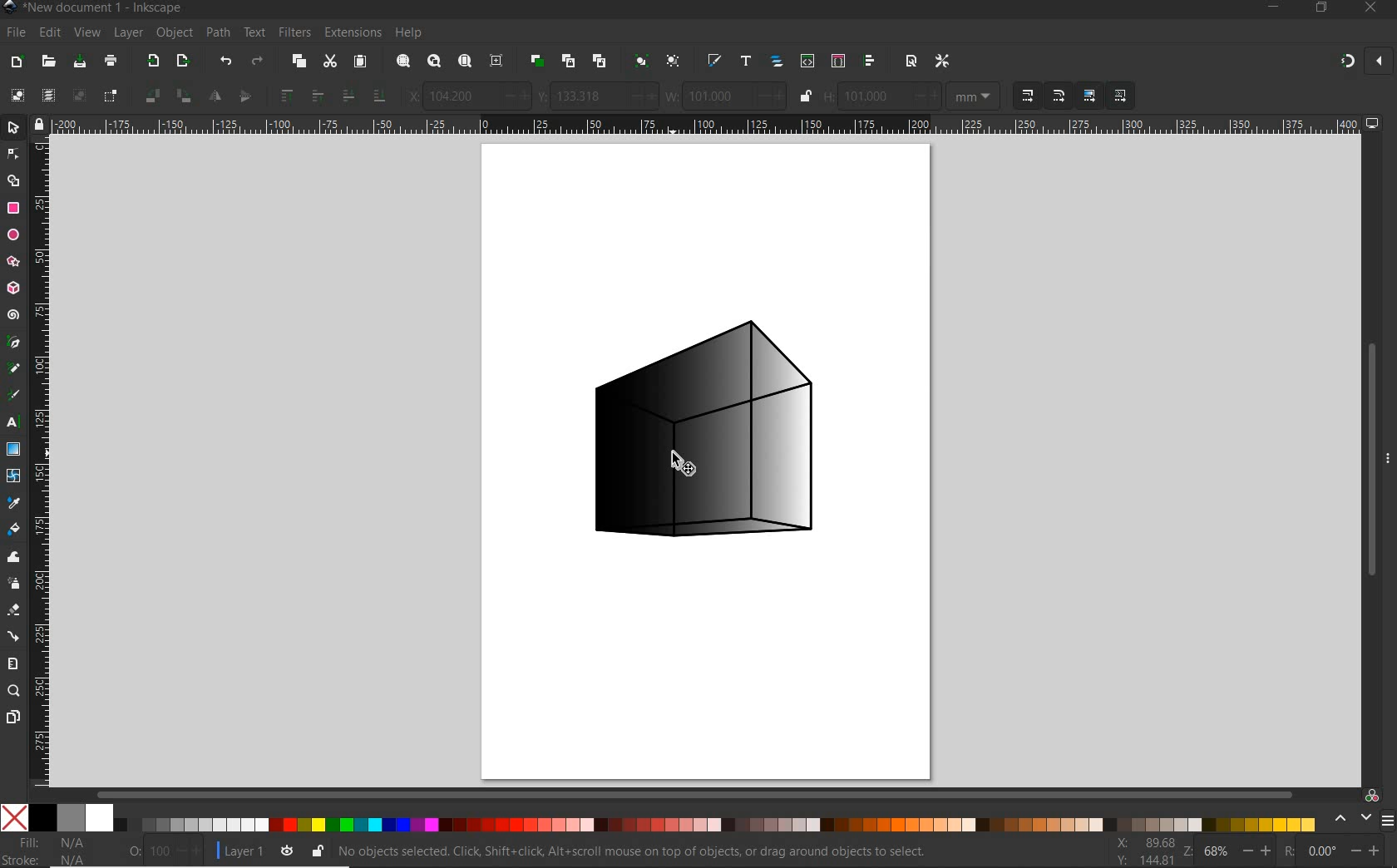 This screenshot has height=868, width=1397. I want to click on OPEN ALIGN AND DISTRIBUTE, so click(870, 61).